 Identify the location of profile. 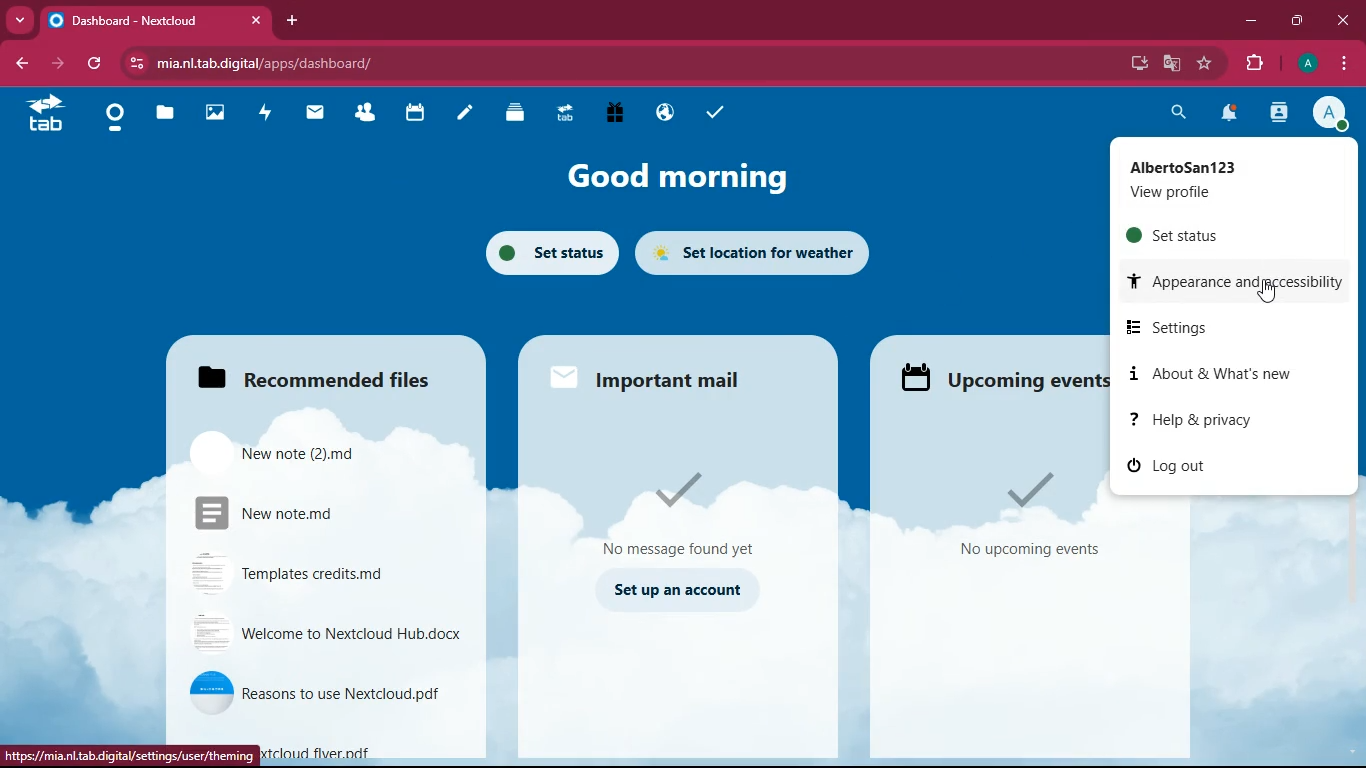
(1335, 115).